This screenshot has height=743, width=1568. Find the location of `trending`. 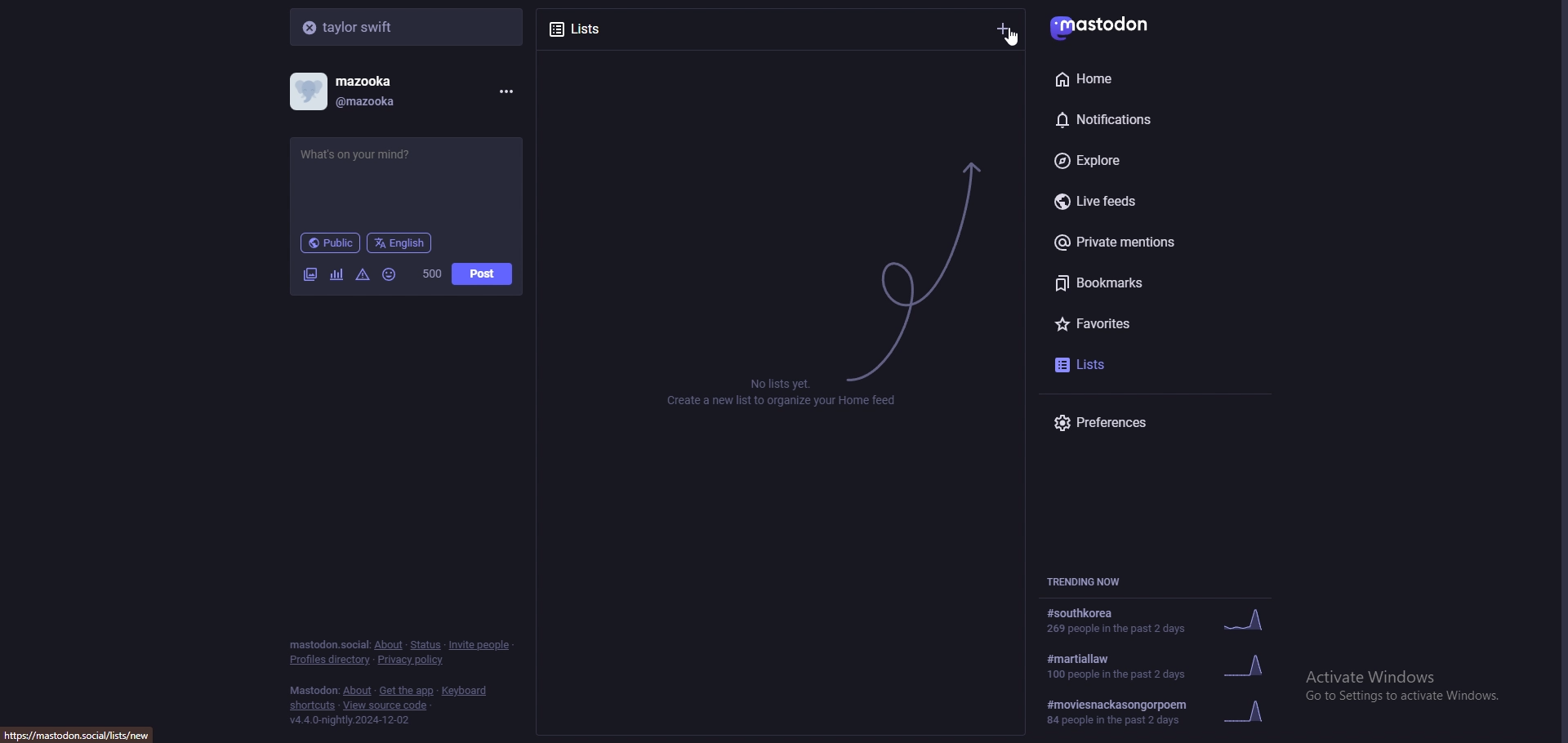

trending is located at coordinates (1164, 712).